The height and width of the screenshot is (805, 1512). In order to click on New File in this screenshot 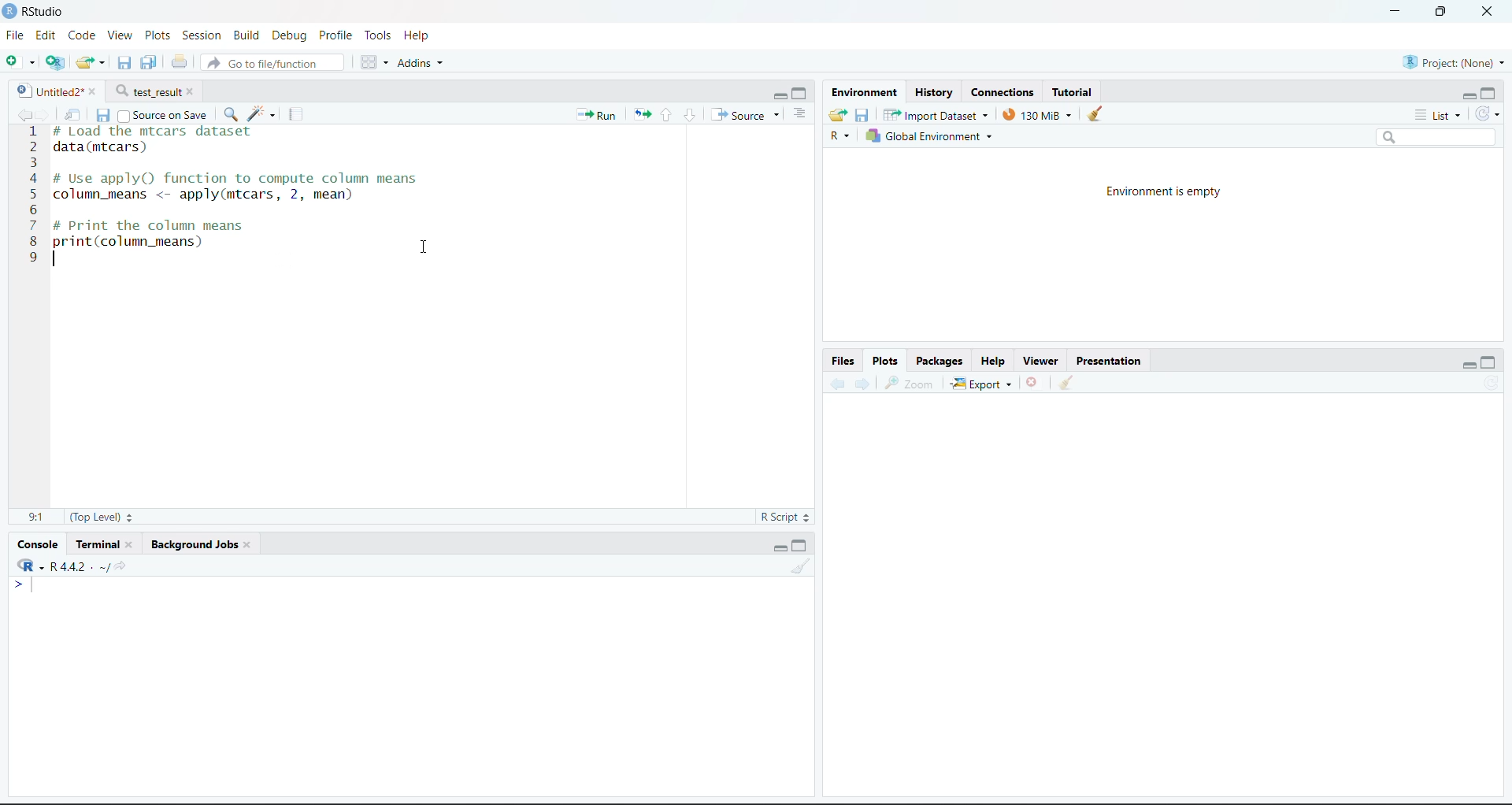, I will do `click(21, 61)`.